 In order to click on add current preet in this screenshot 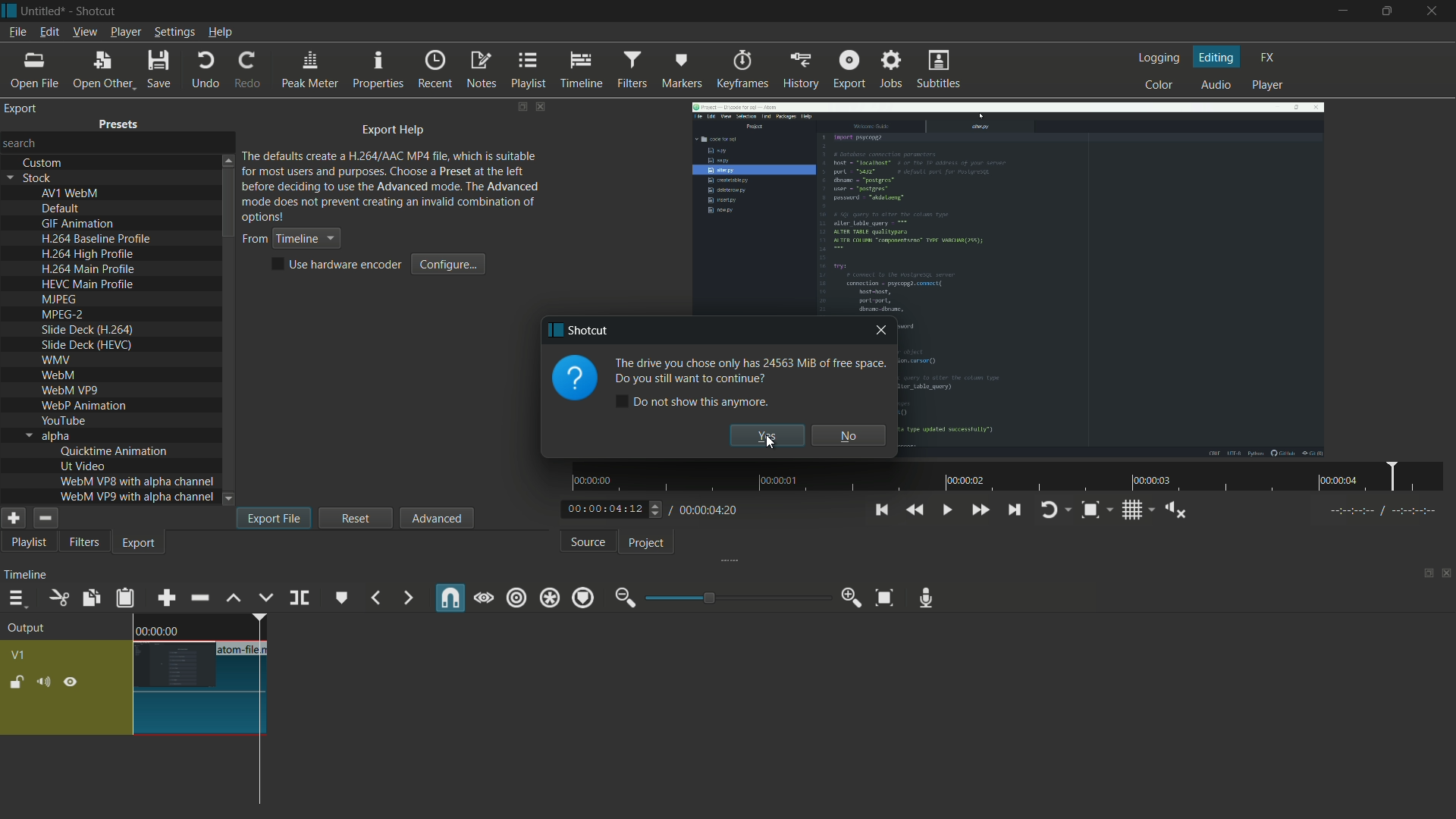, I will do `click(13, 518)`.